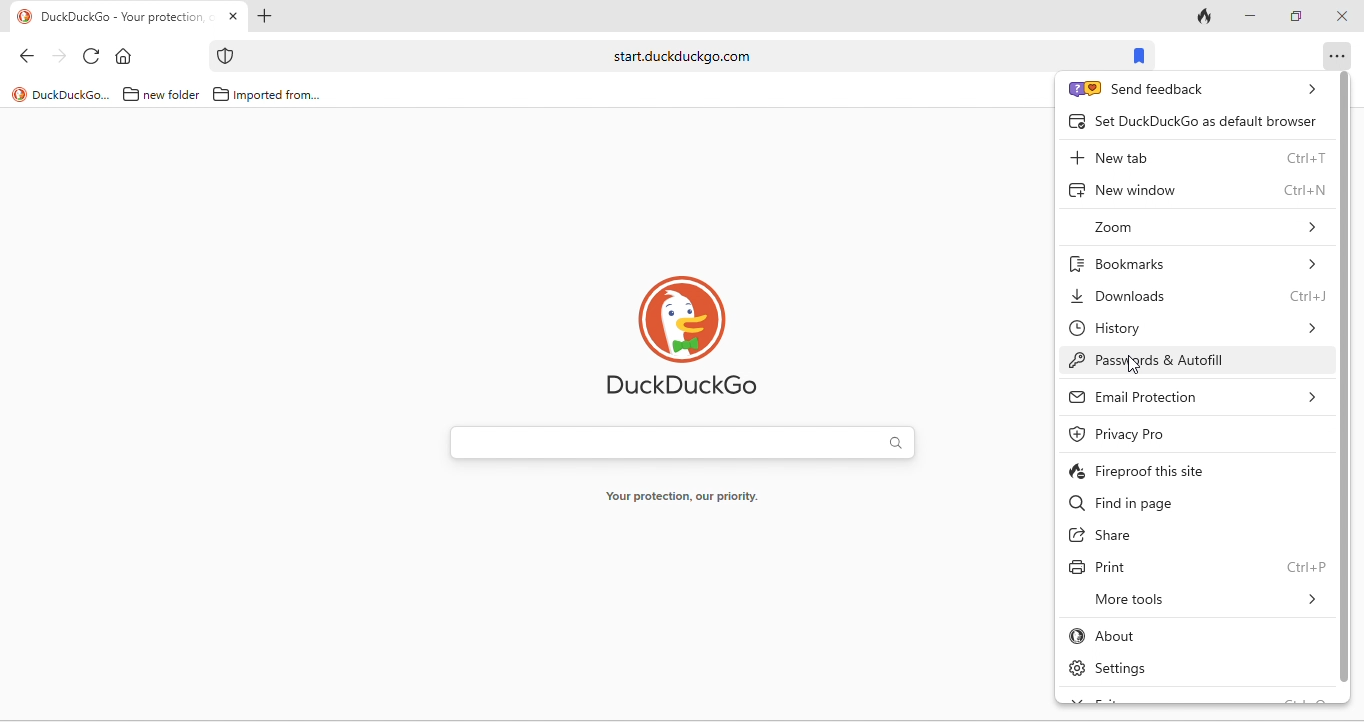  Describe the element at coordinates (1168, 158) in the screenshot. I see `new tab` at that location.